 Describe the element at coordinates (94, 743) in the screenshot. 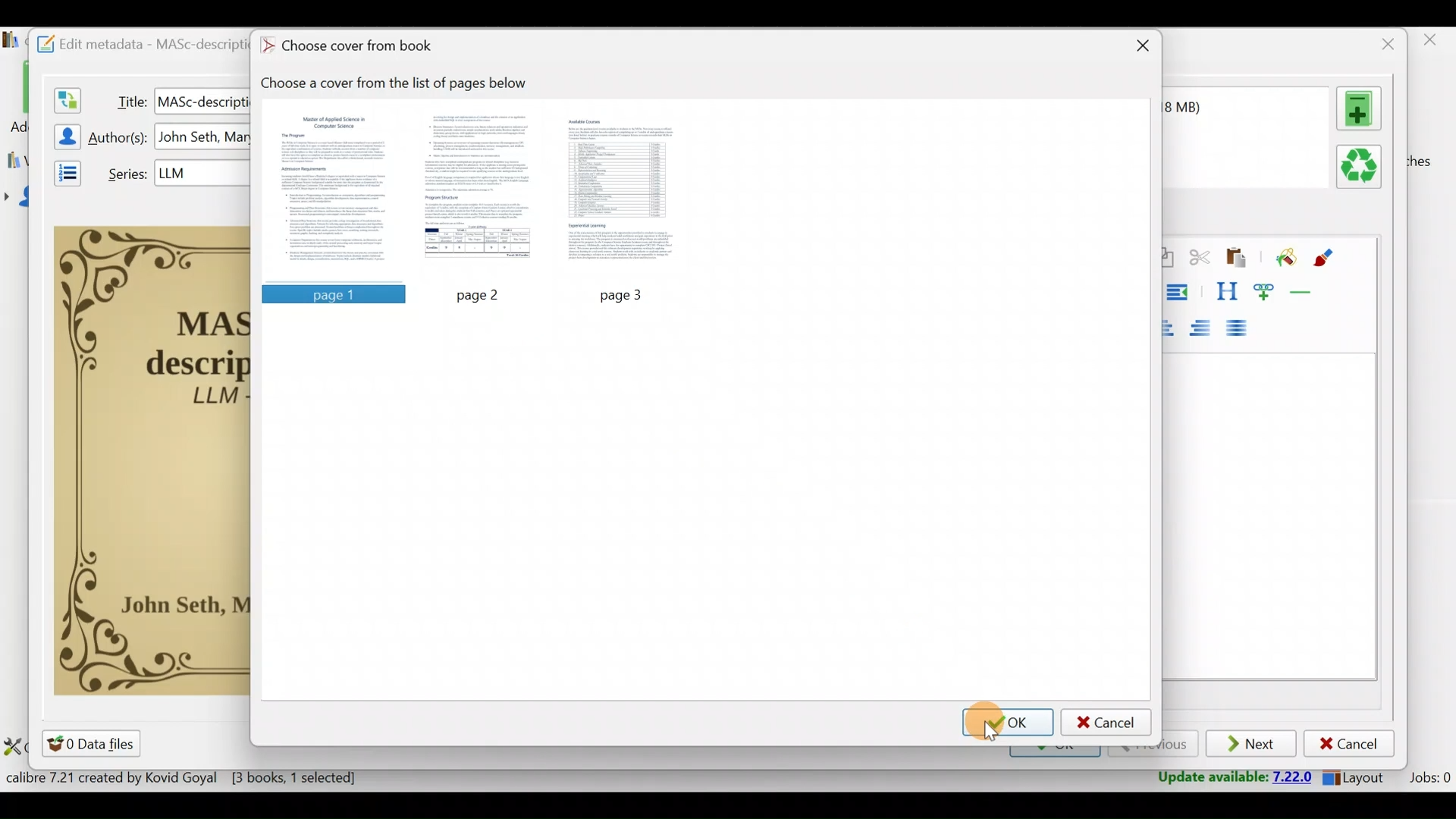

I see `Data files` at that location.